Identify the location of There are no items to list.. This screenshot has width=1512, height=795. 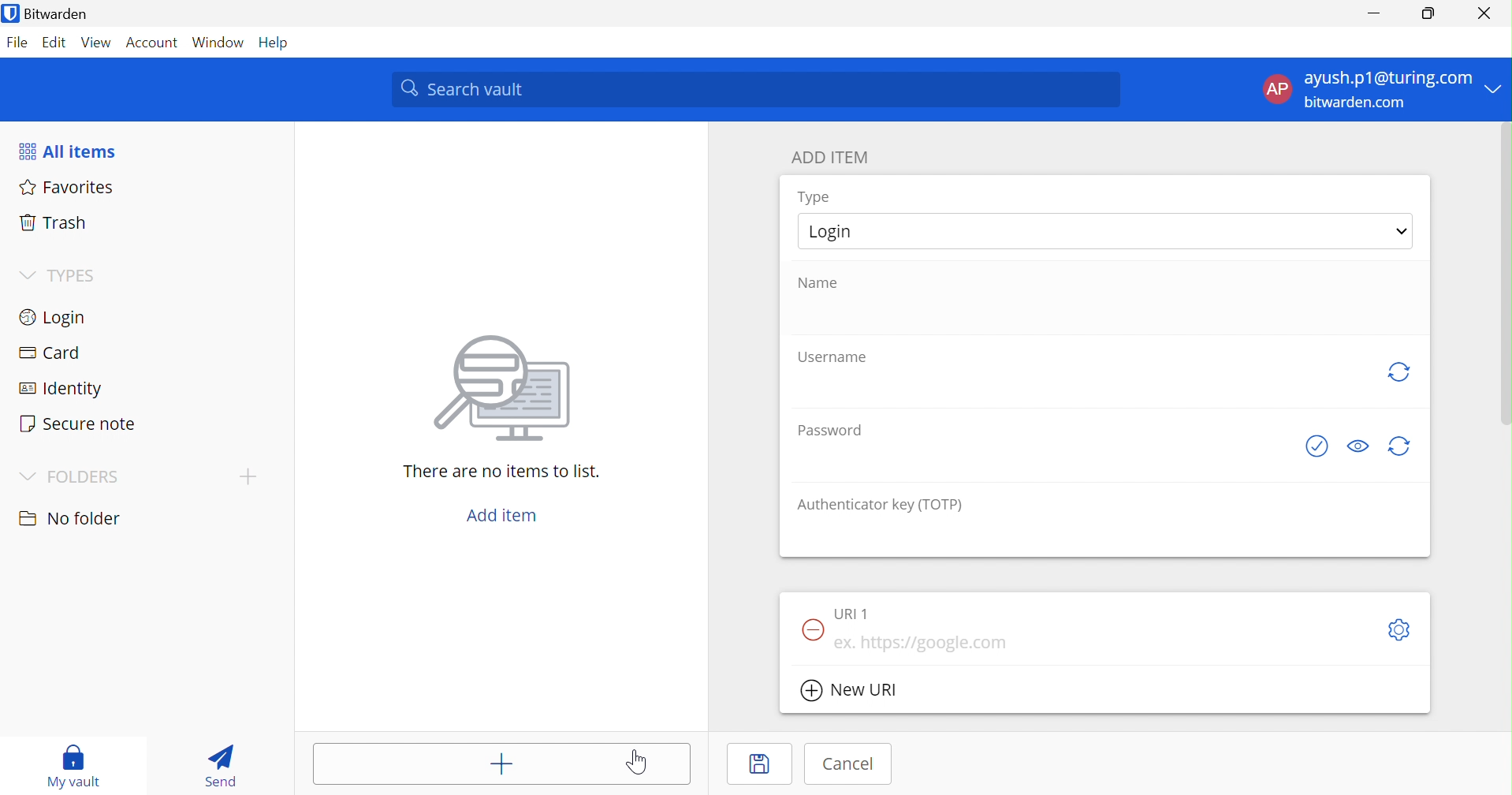
(503, 473).